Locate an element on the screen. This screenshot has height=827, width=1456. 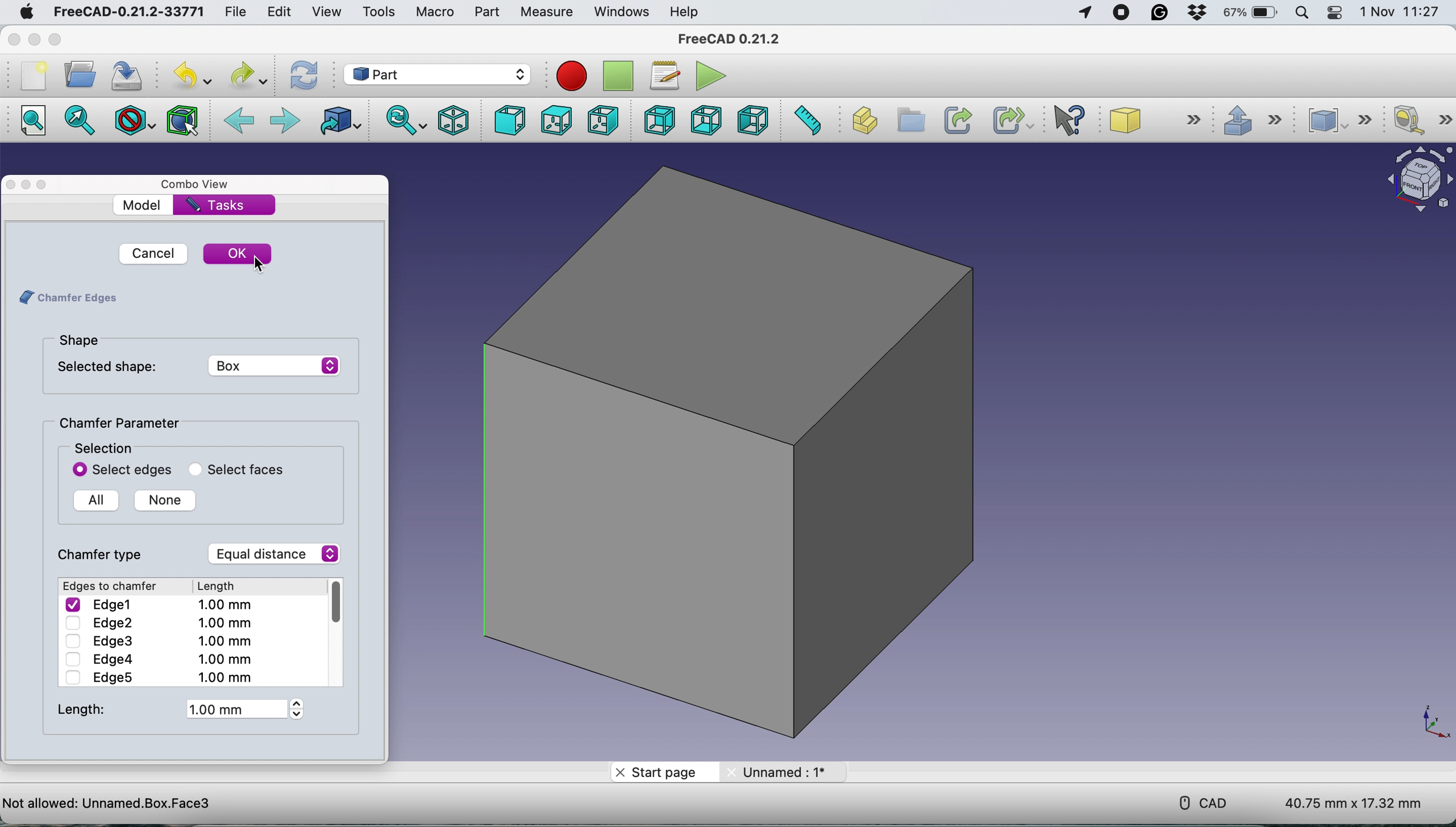
unnamed is located at coordinates (774, 772).